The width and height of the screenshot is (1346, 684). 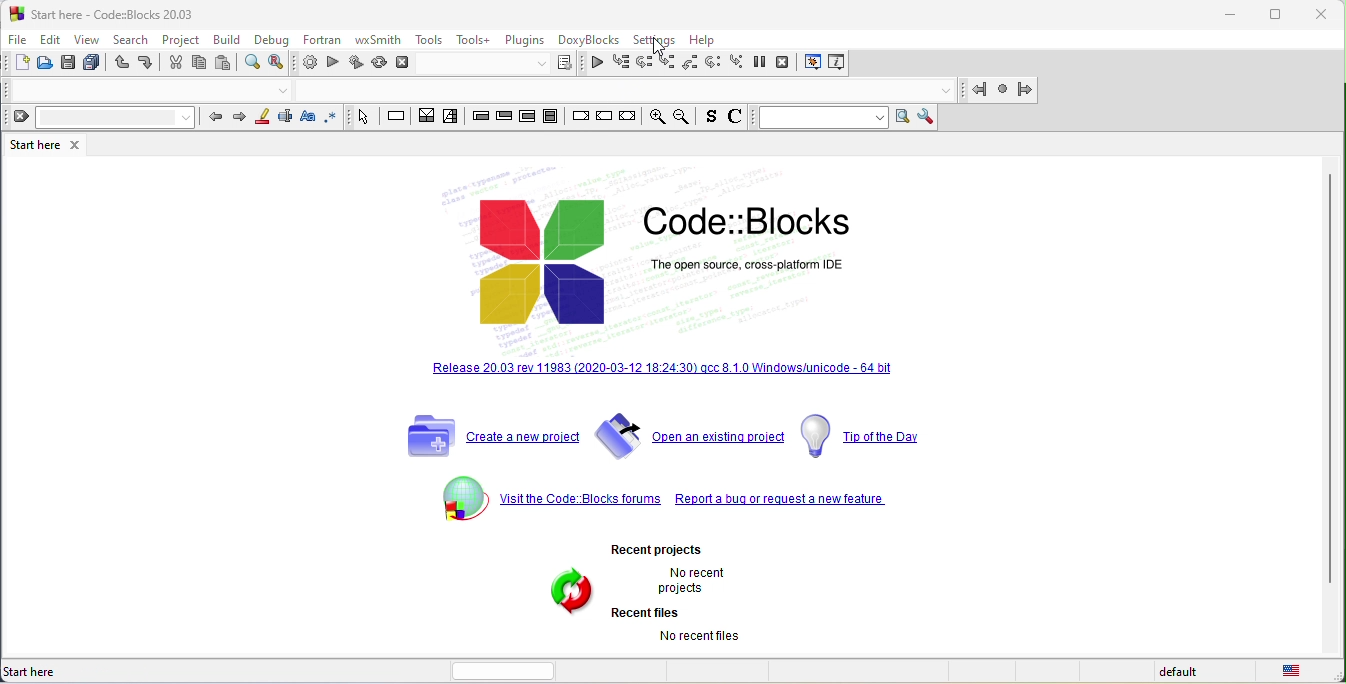 I want to click on drop down, so click(x=942, y=89).